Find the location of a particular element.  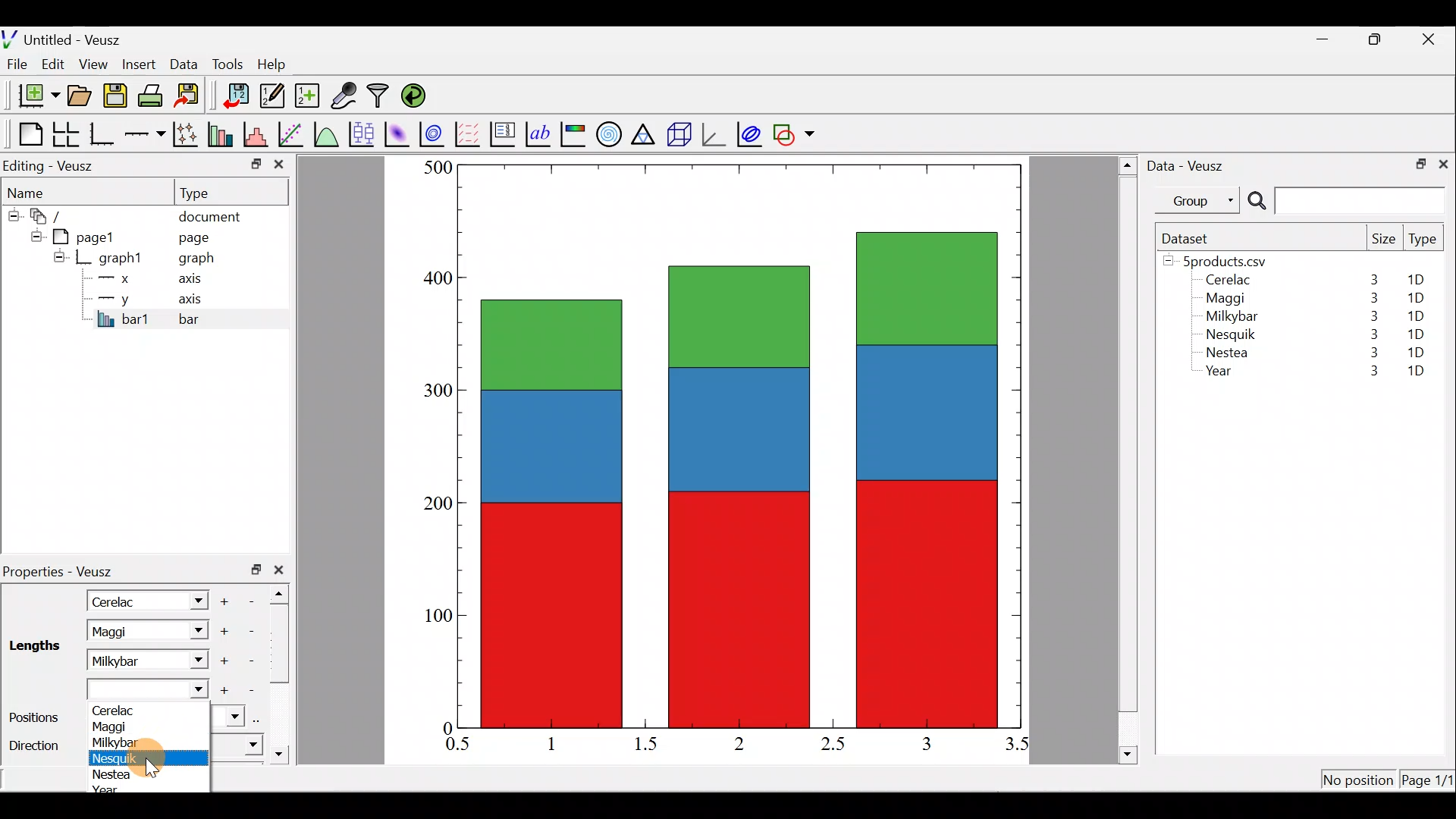

close is located at coordinates (1443, 163).